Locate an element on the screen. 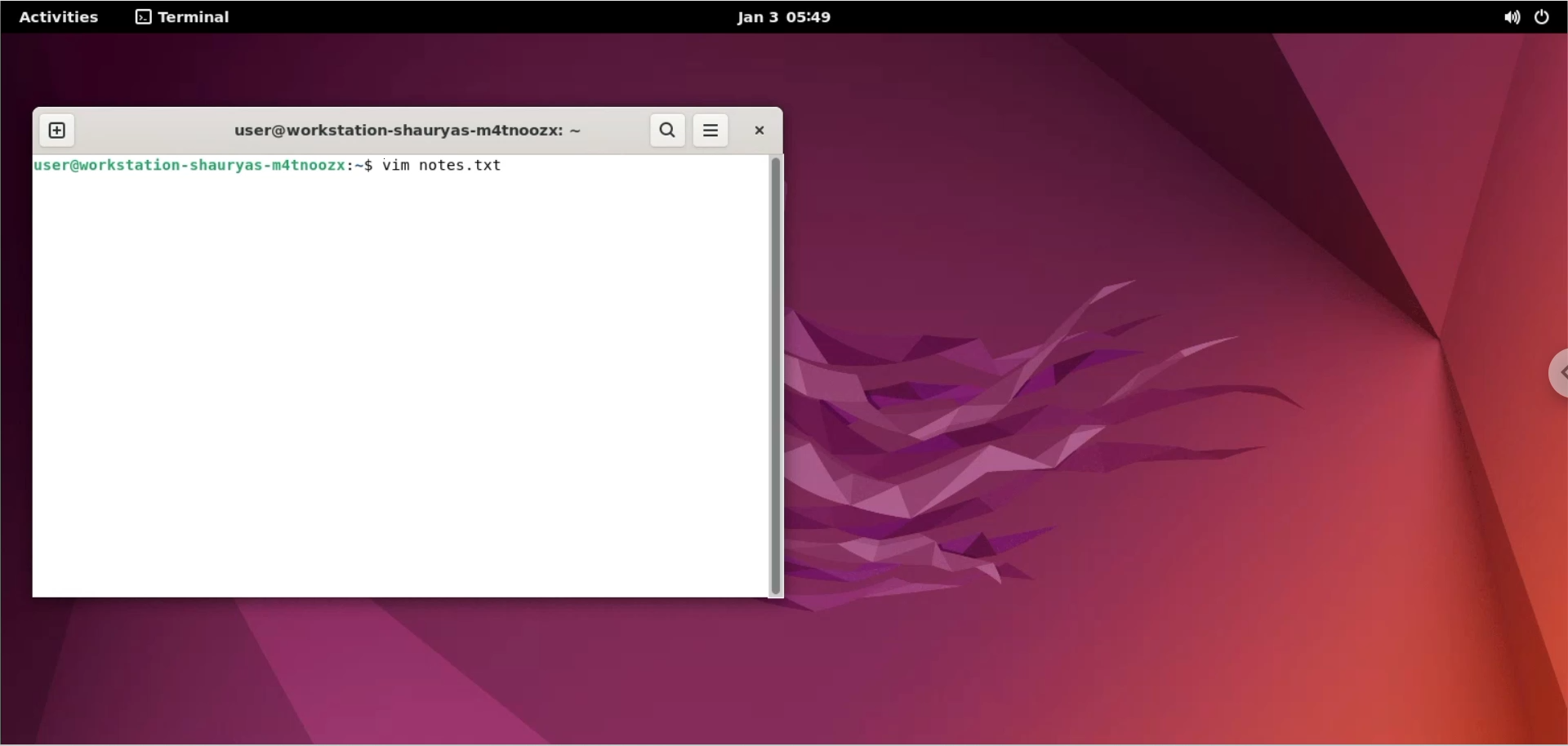 Image resolution: width=1568 pixels, height=746 pixels. menu is located at coordinates (711, 132).